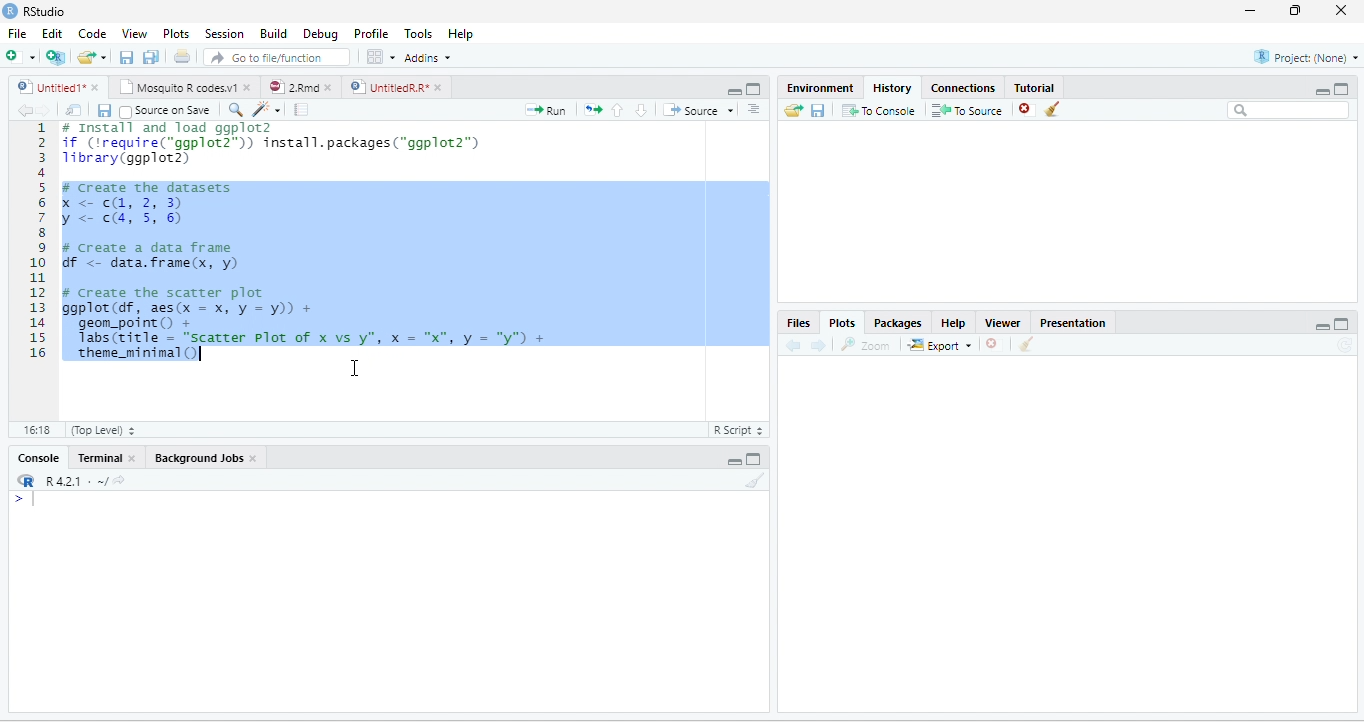  Describe the element at coordinates (879, 111) in the screenshot. I see `To Console` at that location.